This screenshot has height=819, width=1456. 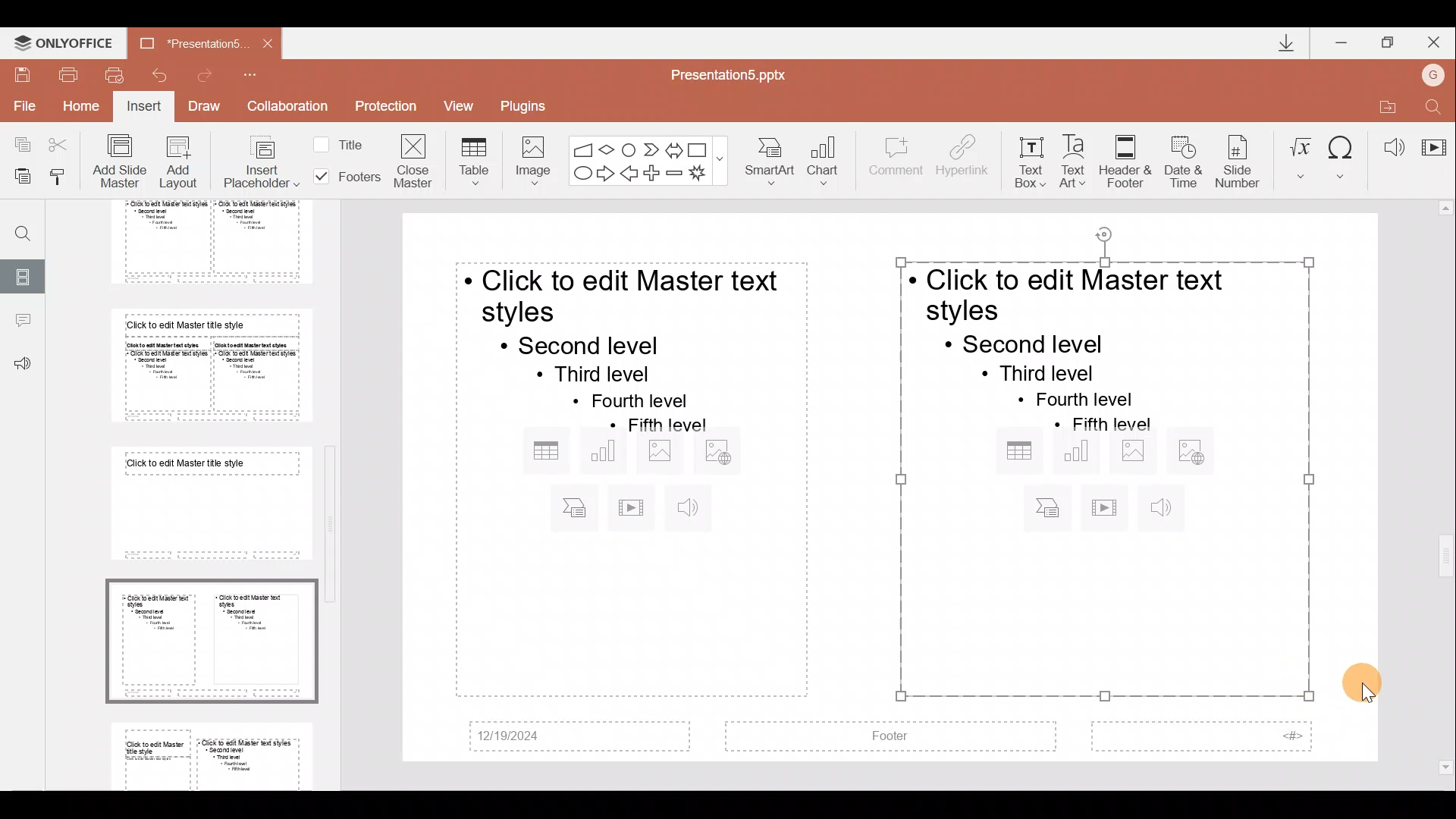 What do you see at coordinates (1300, 155) in the screenshot?
I see `Equation` at bounding box center [1300, 155].